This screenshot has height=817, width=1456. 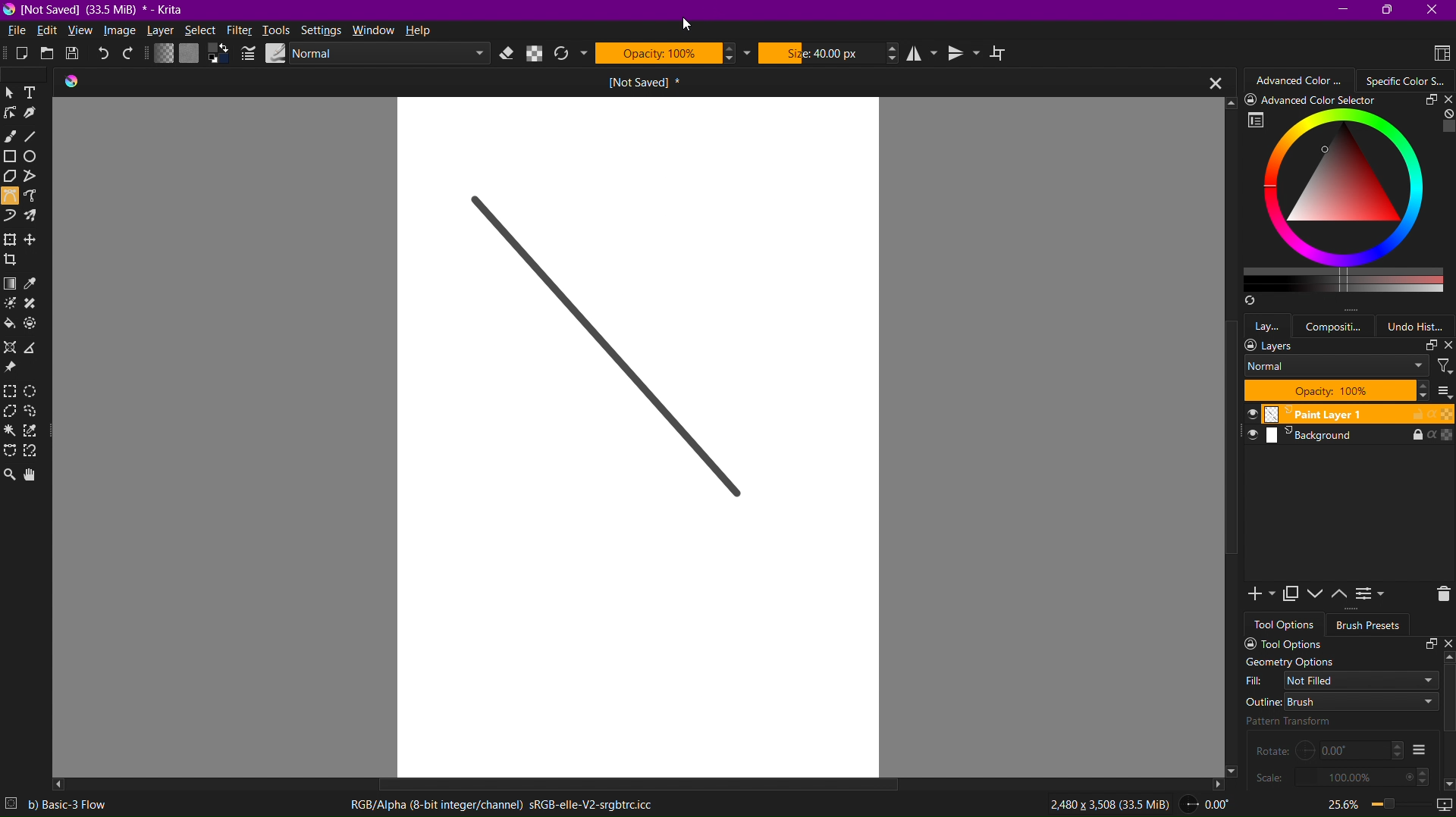 I want to click on Scrollbar, so click(x=628, y=781).